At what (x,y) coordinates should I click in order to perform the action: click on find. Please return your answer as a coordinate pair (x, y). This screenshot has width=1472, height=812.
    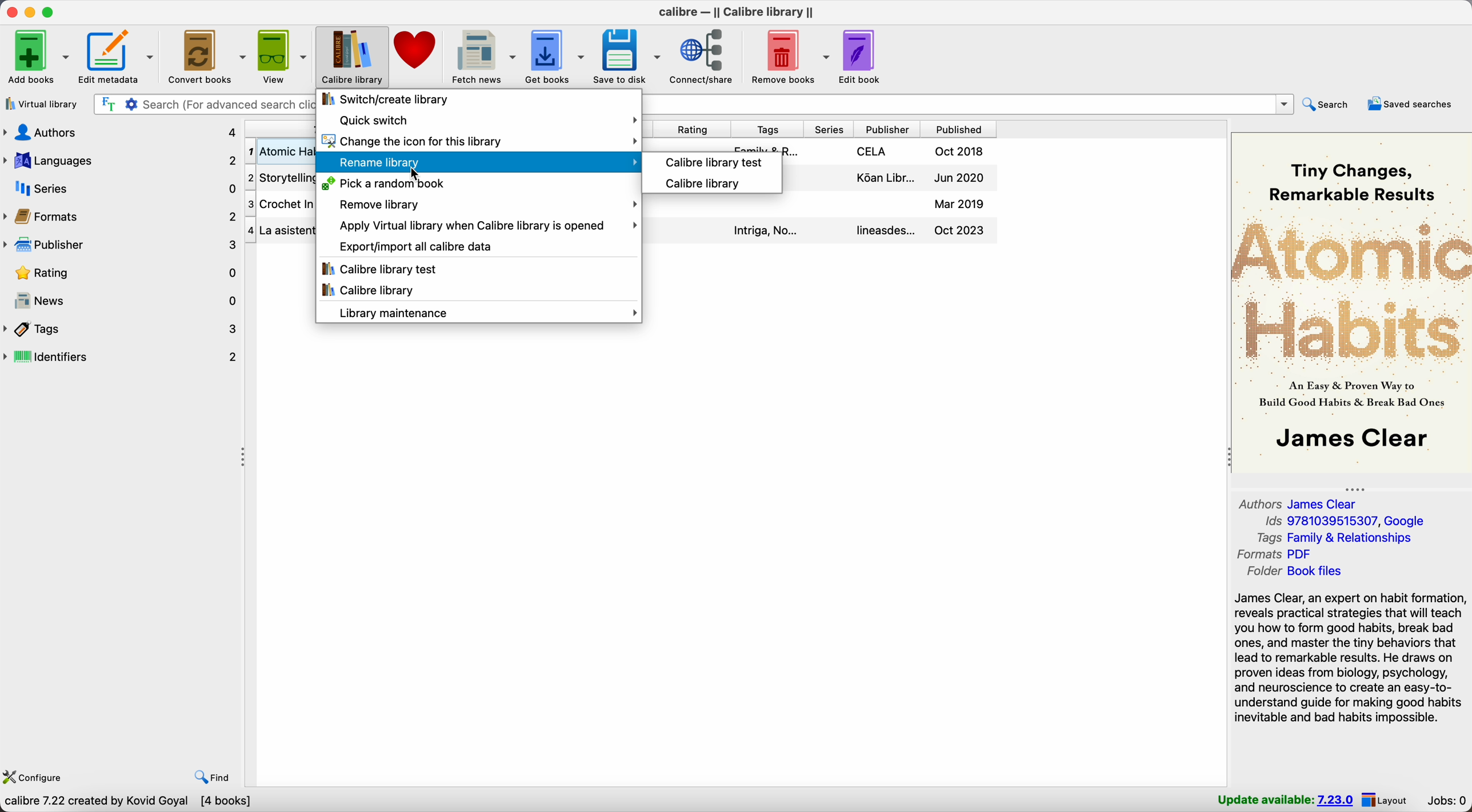
    Looking at the image, I should click on (211, 777).